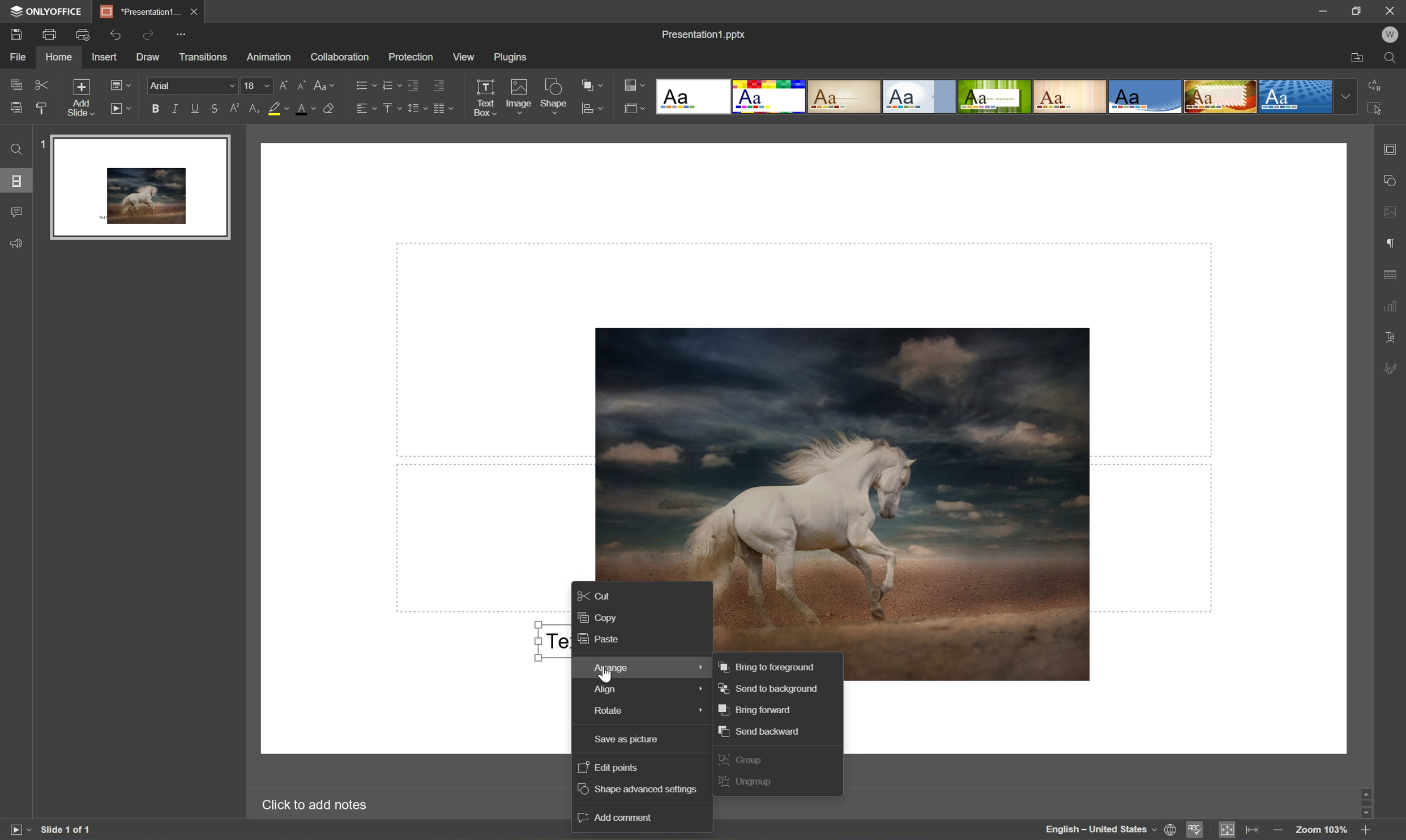 This screenshot has width=1406, height=840. Describe the element at coordinates (132, 186) in the screenshot. I see `Slide 1` at that location.